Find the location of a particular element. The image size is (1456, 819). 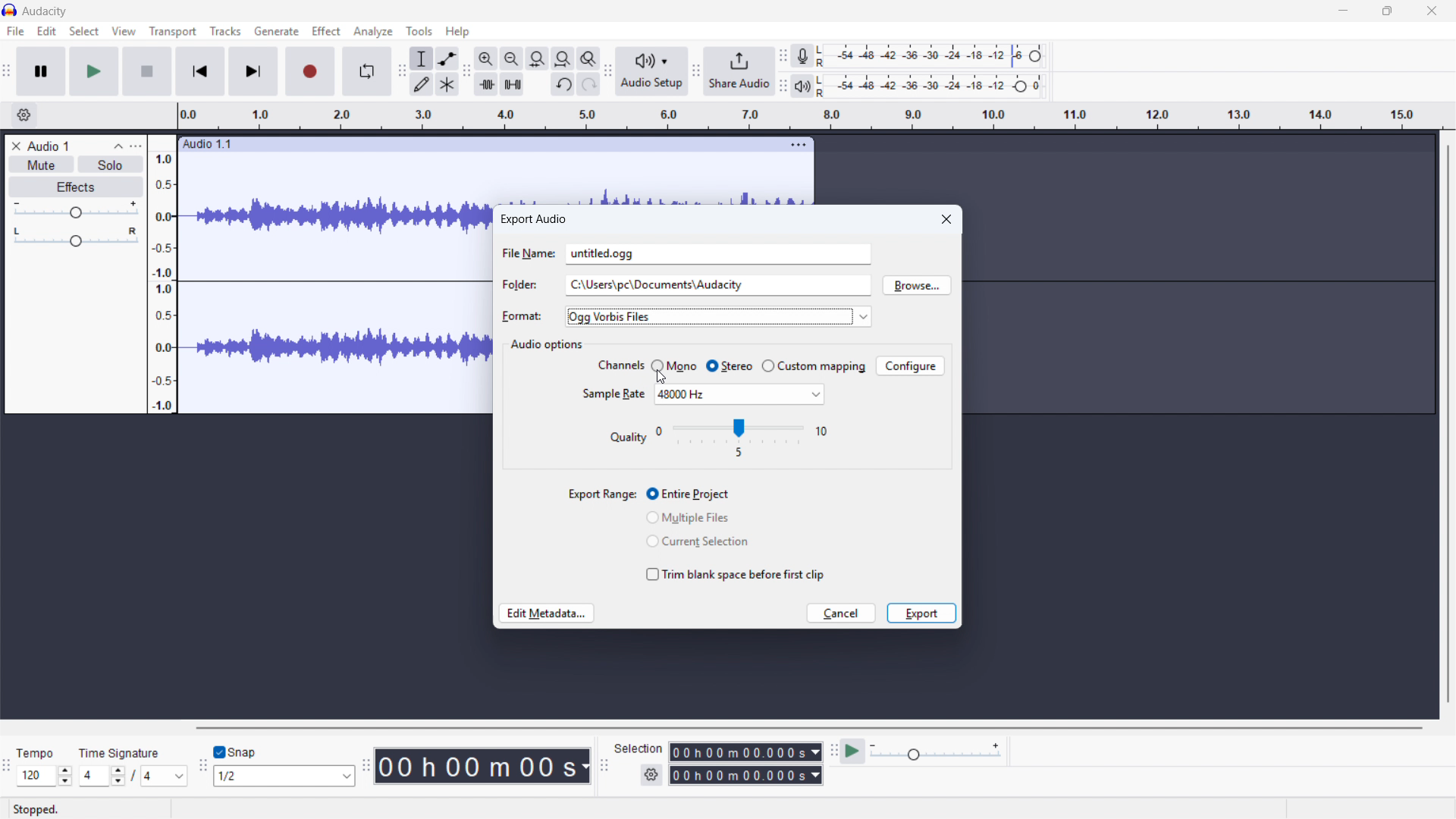

Transport  is located at coordinates (173, 32).